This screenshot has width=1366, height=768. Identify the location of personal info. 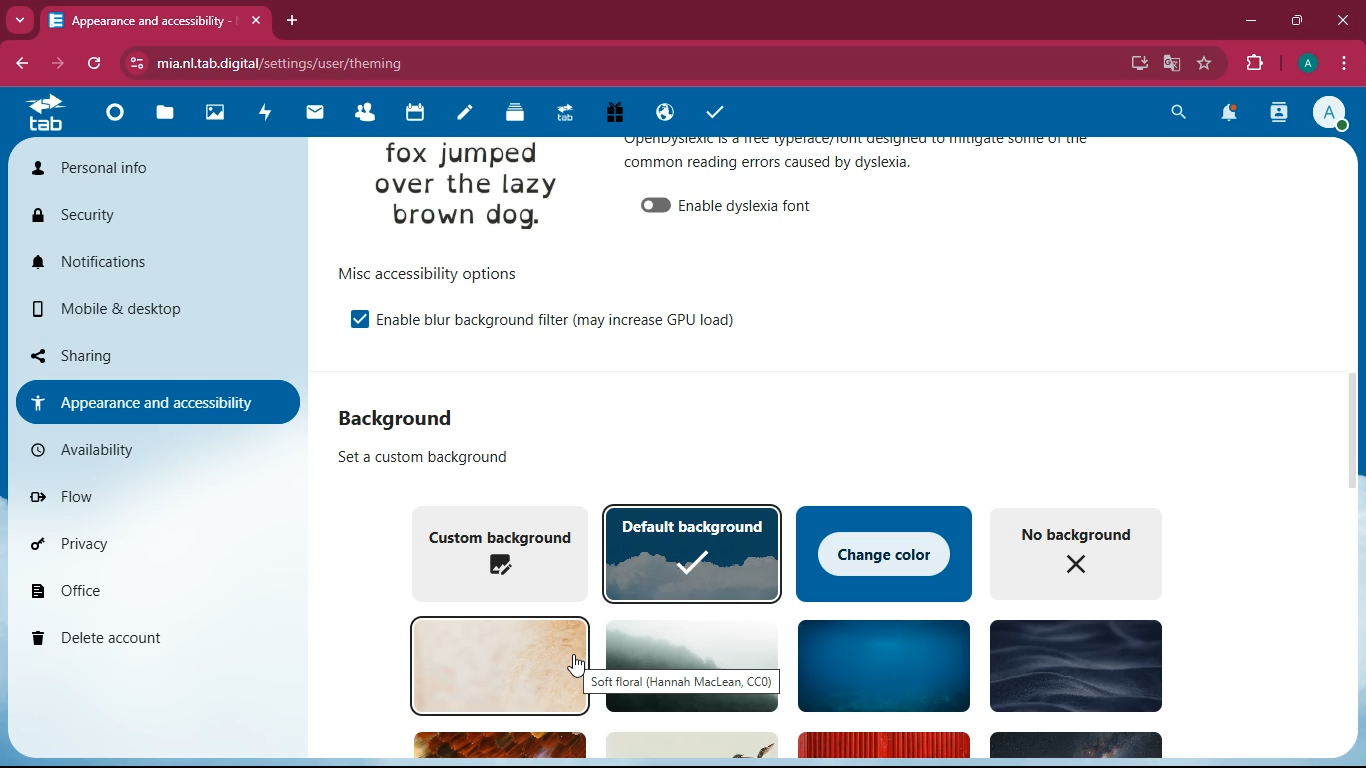
(130, 166).